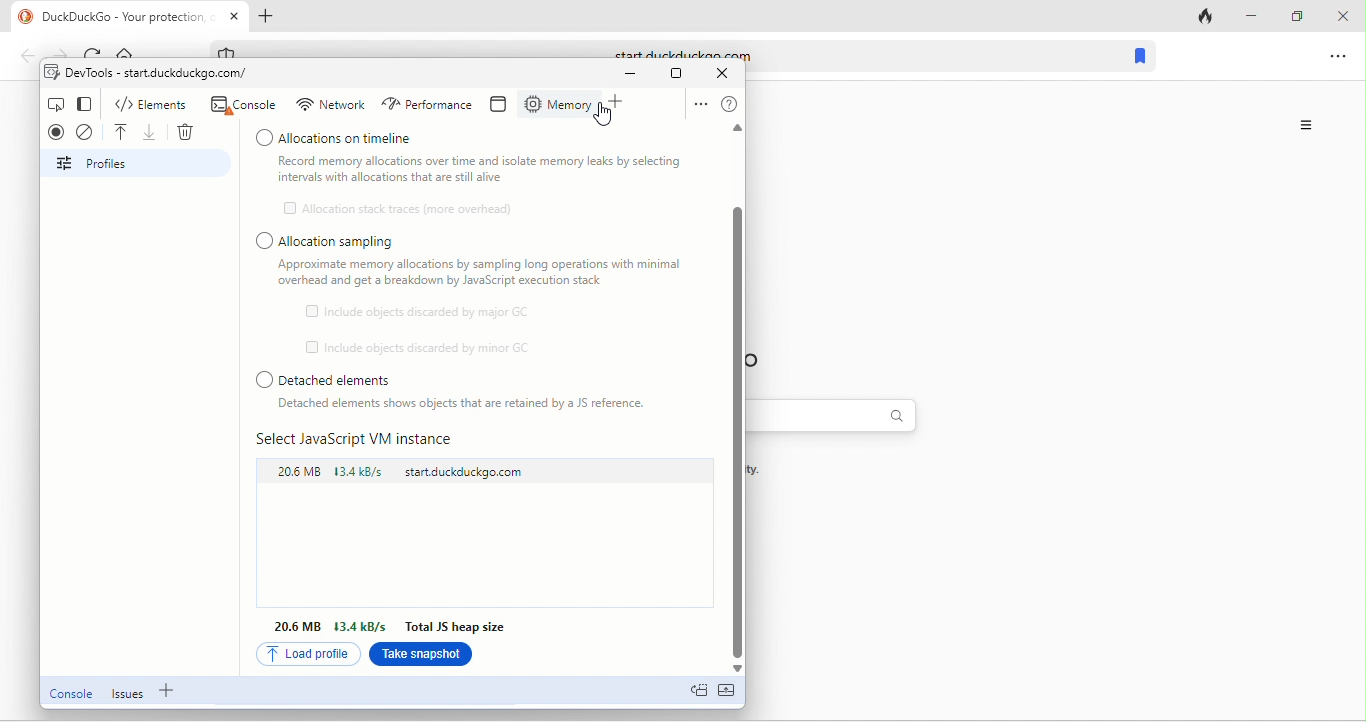 The height and width of the screenshot is (722, 1366). Describe the element at coordinates (430, 106) in the screenshot. I see `performance` at that location.